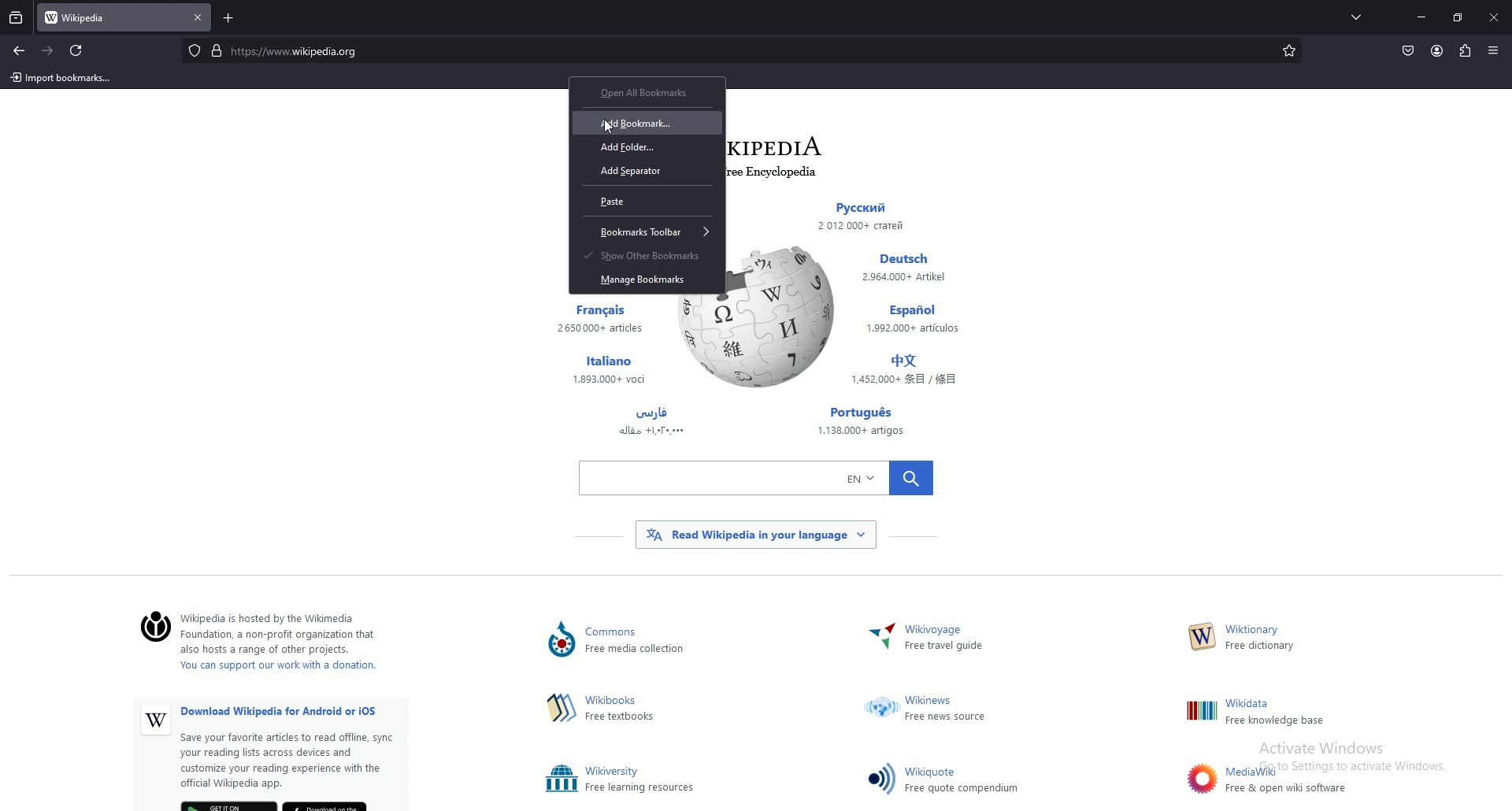 The image size is (1512, 811). Describe the element at coordinates (650, 424) in the screenshot. I see `` at that location.